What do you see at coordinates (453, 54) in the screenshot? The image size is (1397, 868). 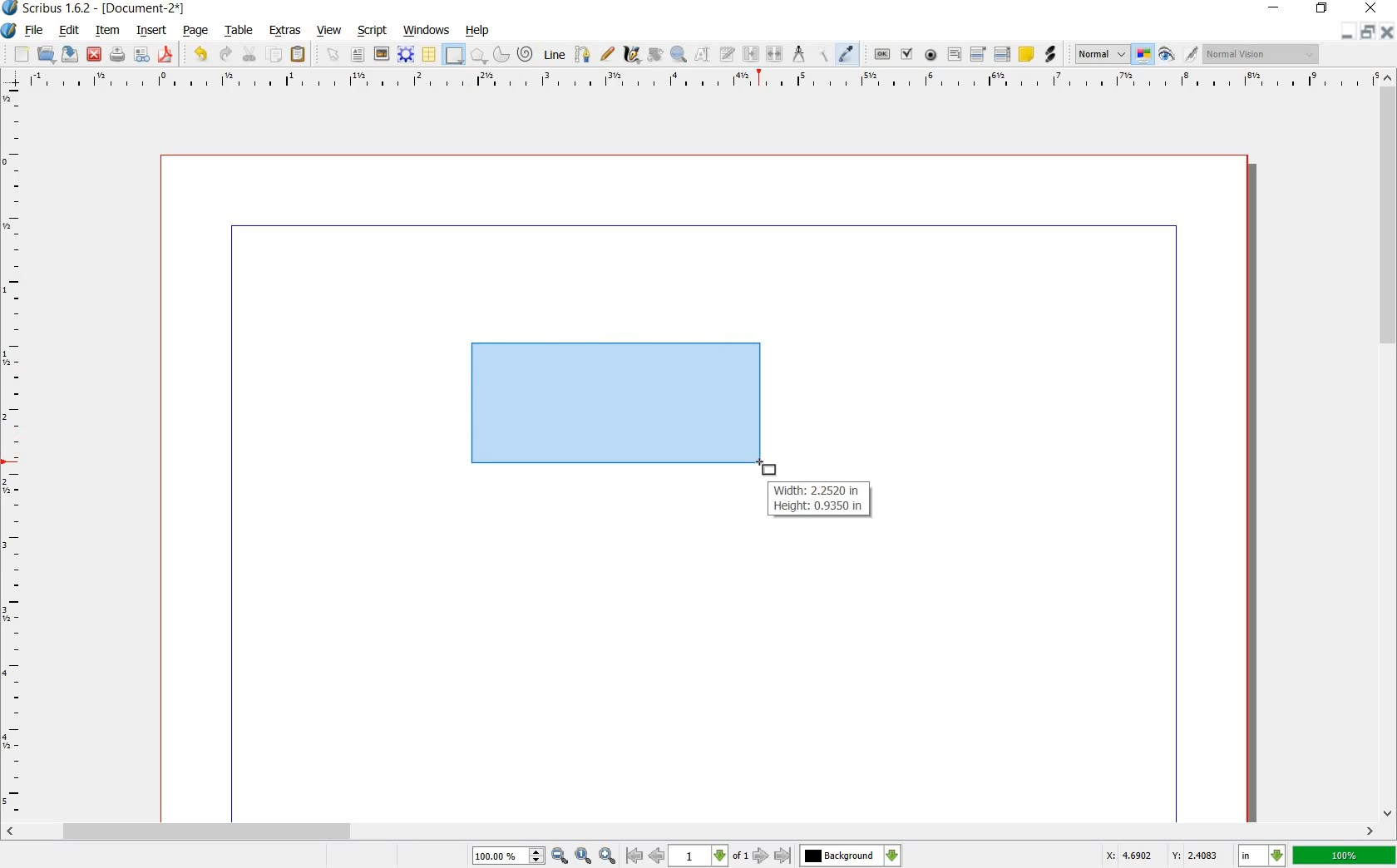 I see `SHAPE` at bounding box center [453, 54].